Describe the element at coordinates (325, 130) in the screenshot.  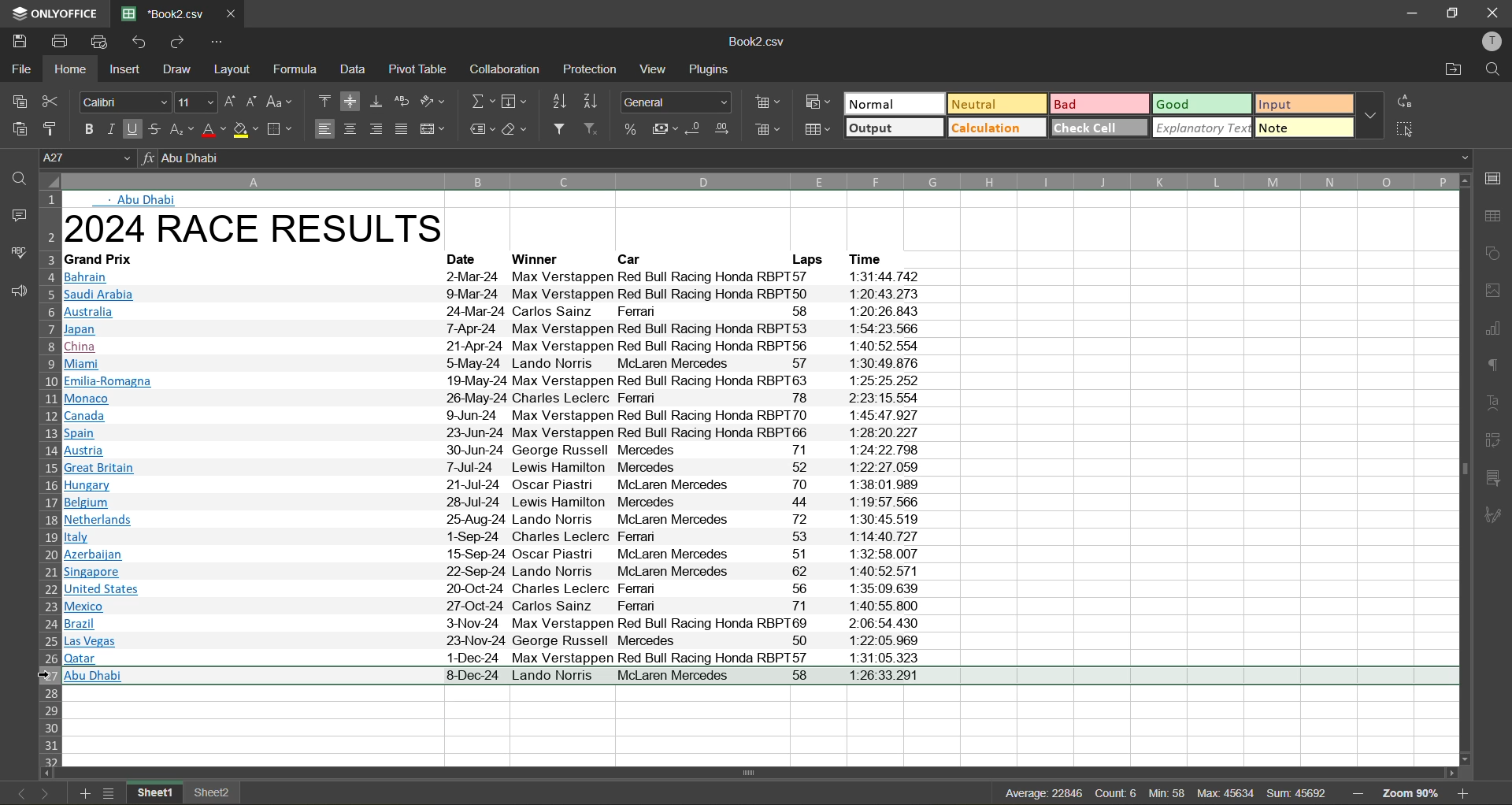
I see `align left` at that location.